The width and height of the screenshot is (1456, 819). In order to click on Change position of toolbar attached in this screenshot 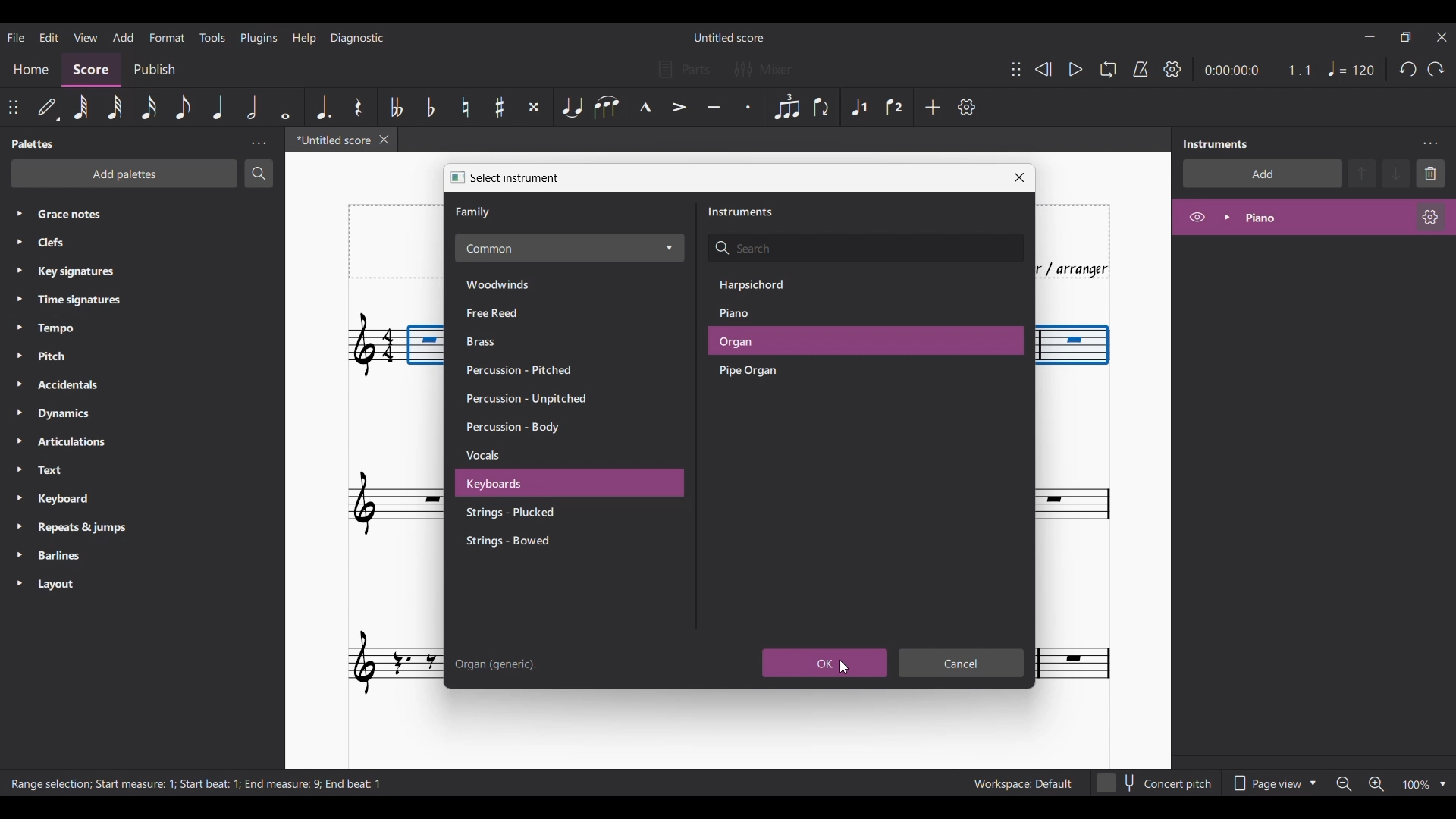, I will do `click(12, 106)`.